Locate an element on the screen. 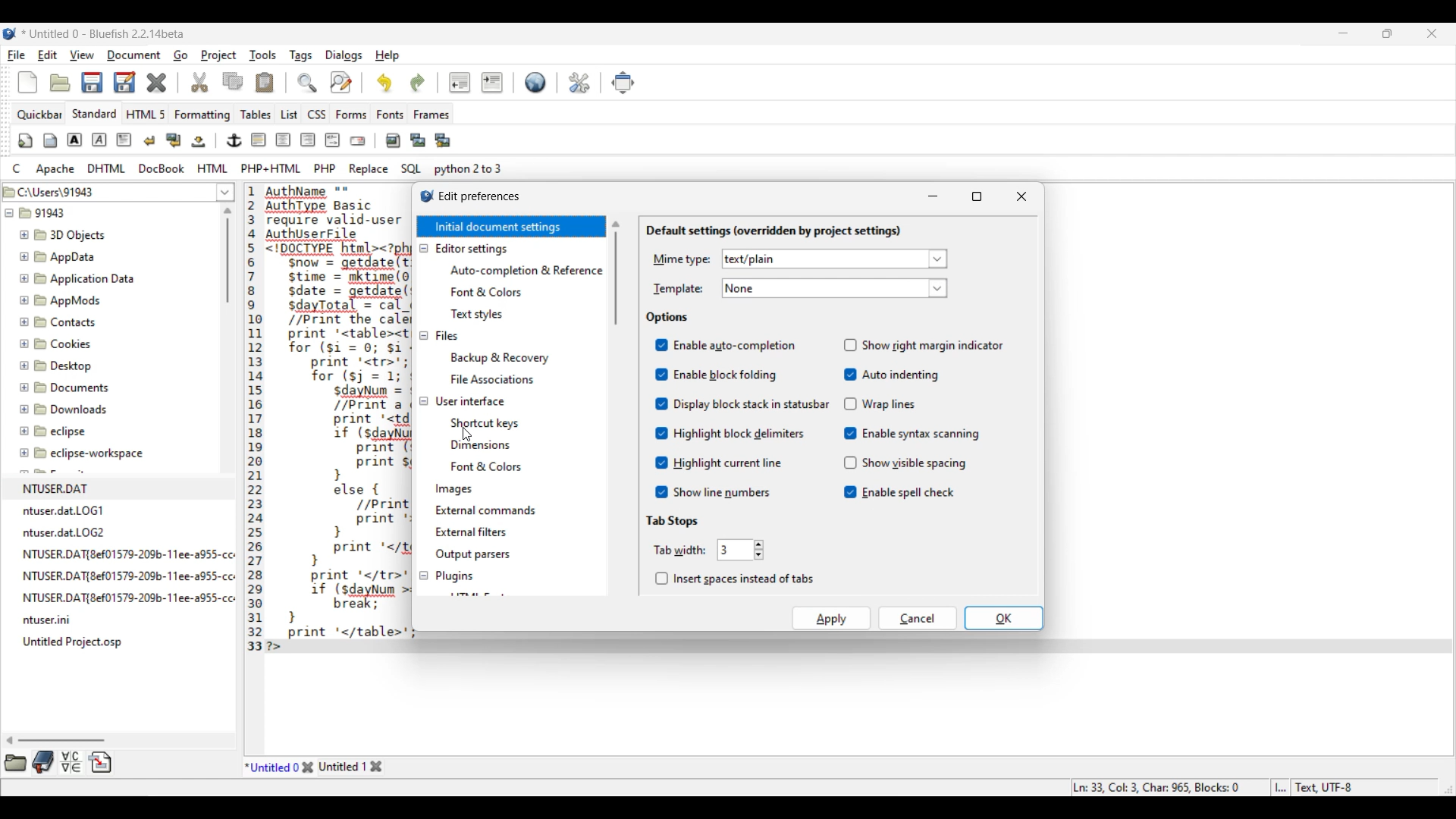 The height and width of the screenshot is (819, 1456). Untitled Project.osp is located at coordinates (76, 642).